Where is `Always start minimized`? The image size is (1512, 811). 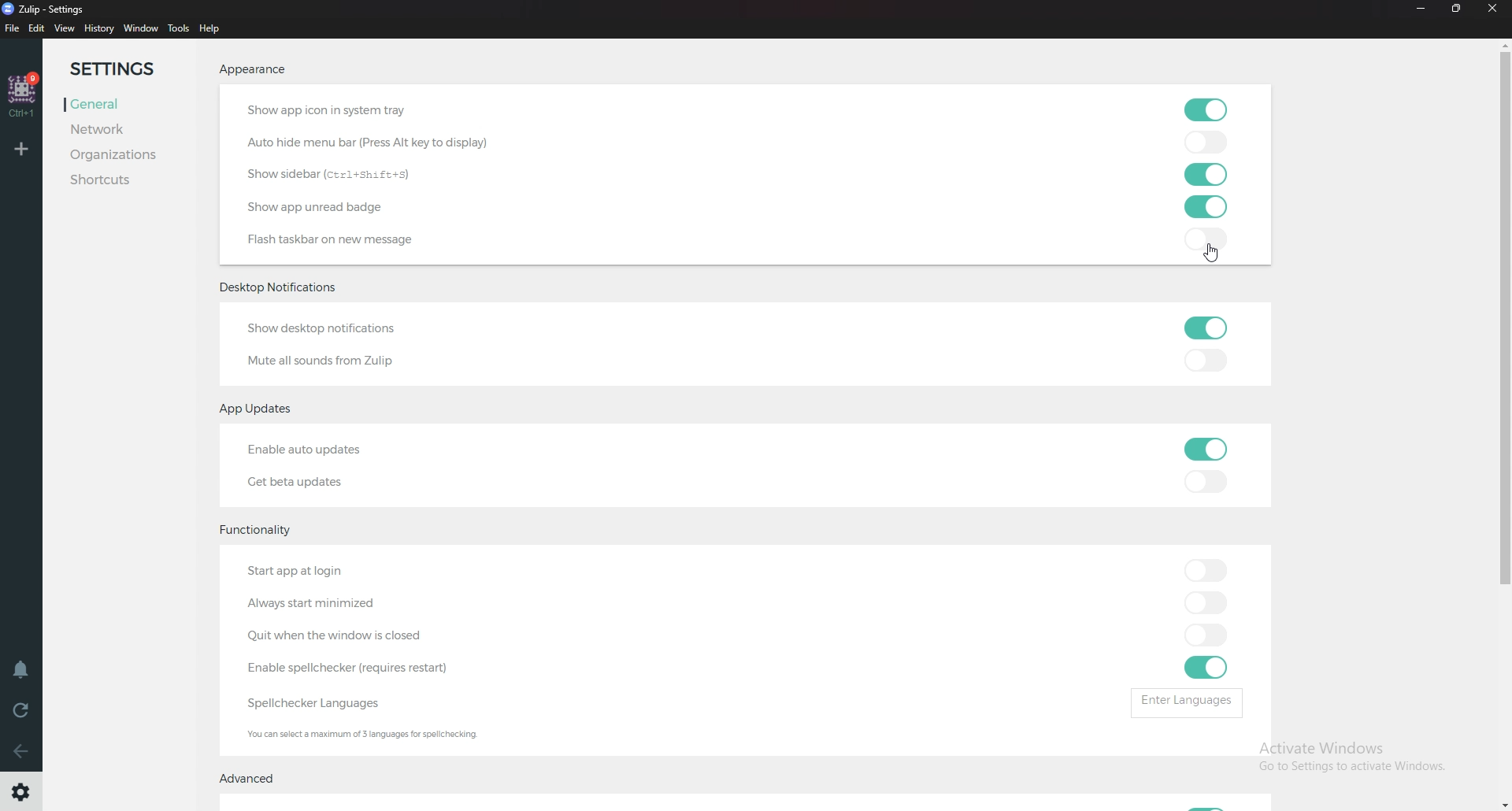 Always start minimized is located at coordinates (328, 604).